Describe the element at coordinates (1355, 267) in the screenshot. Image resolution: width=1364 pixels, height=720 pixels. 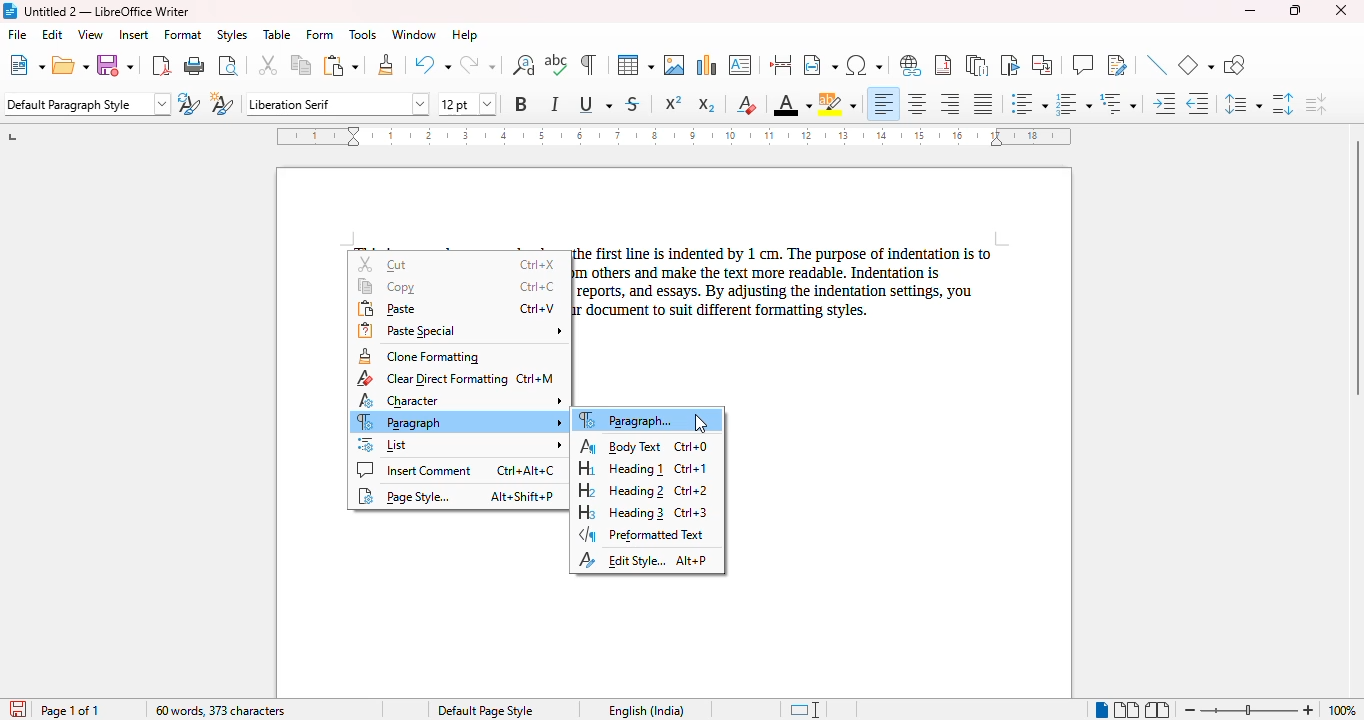
I see `vertical scroll bar` at that location.